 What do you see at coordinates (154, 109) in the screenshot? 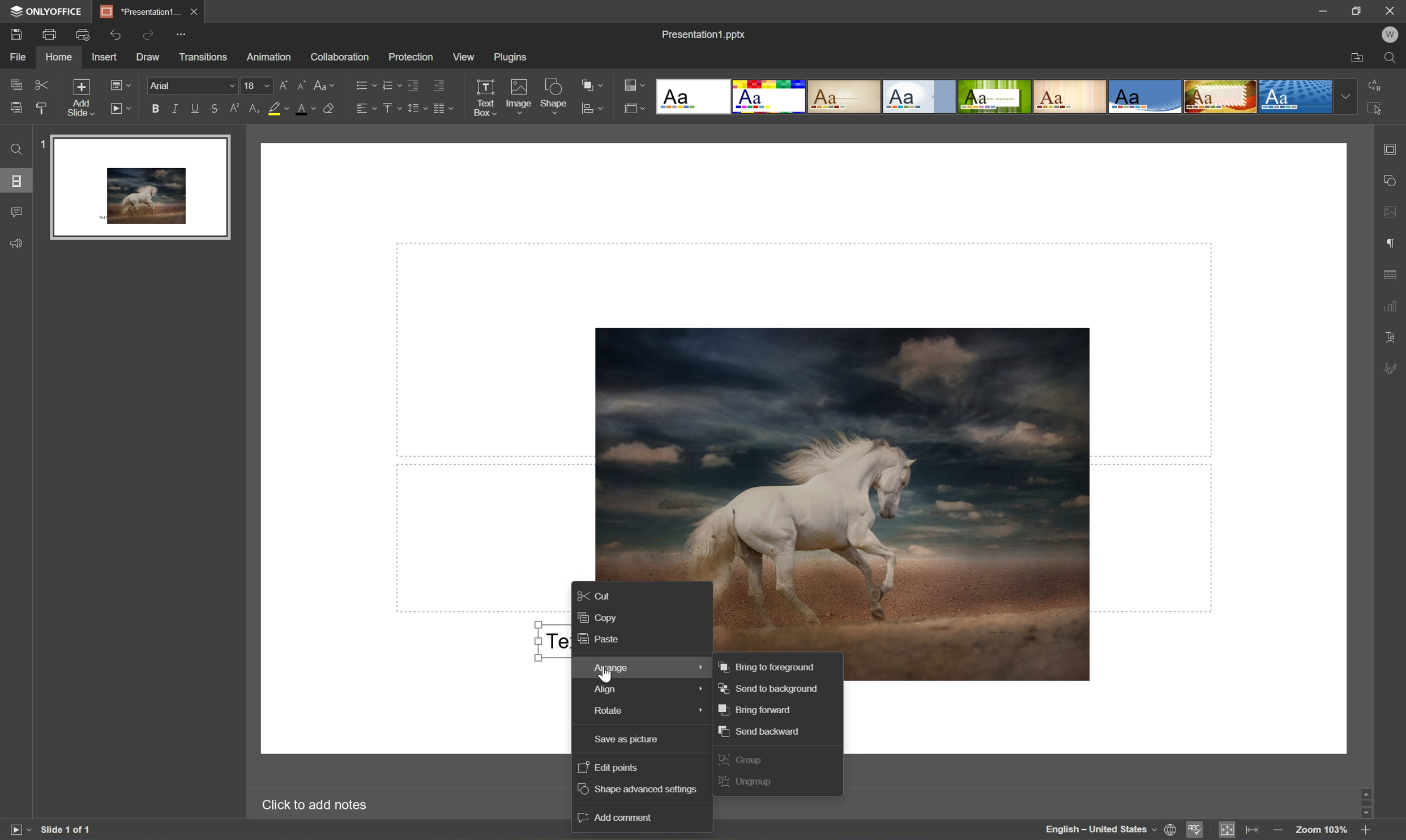
I see `Bold` at bounding box center [154, 109].